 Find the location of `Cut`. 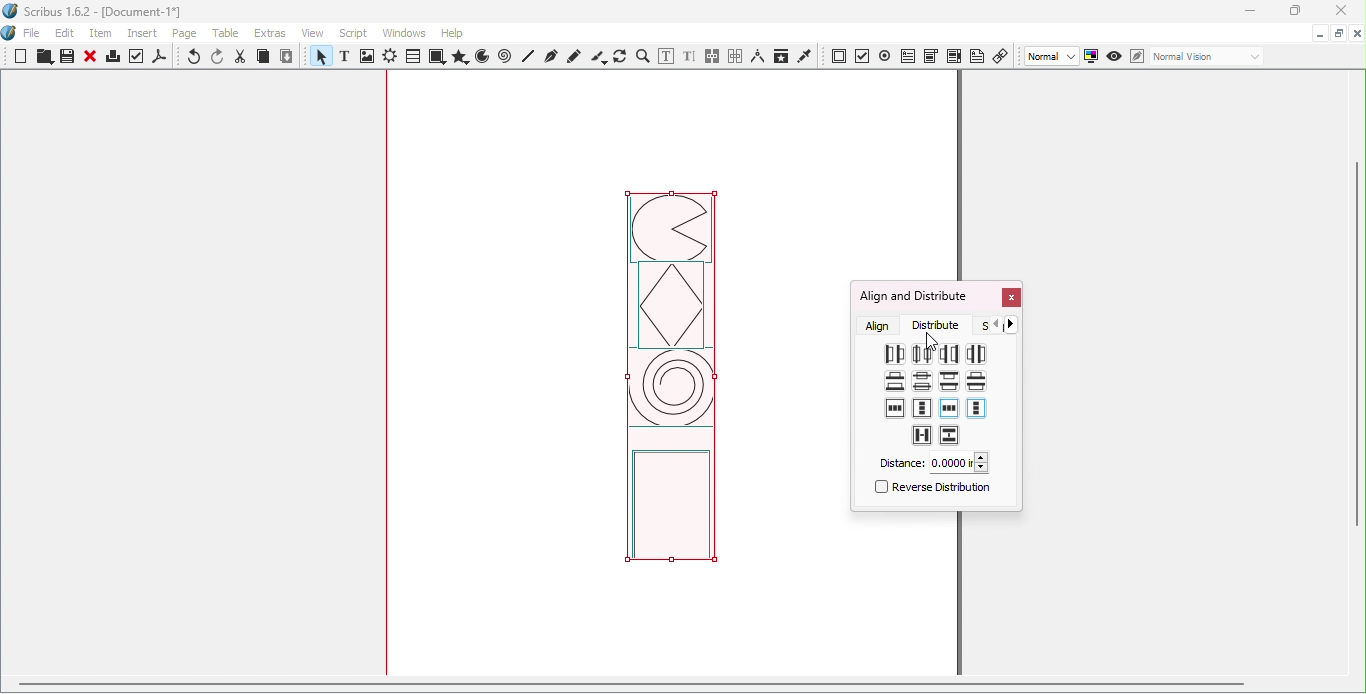

Cut is located at coordinates (241, 57).